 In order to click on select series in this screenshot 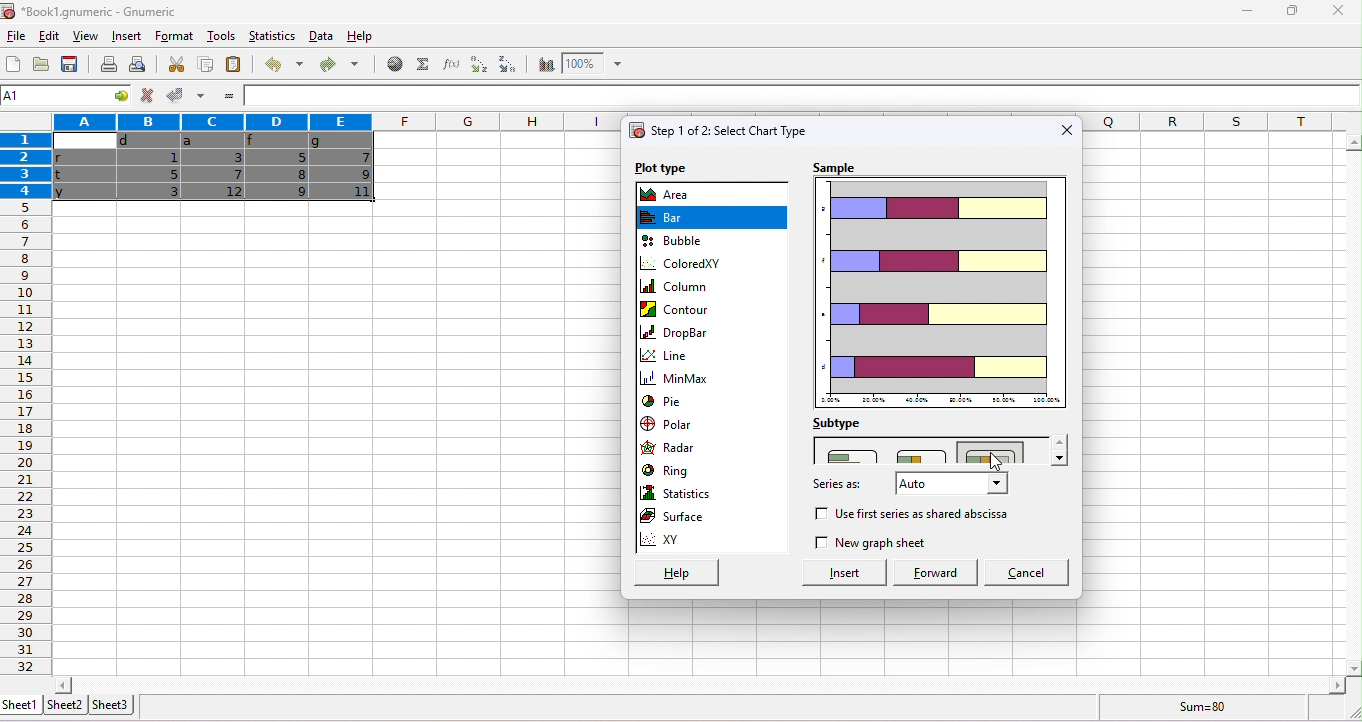, I will do `click(950, 484)`.